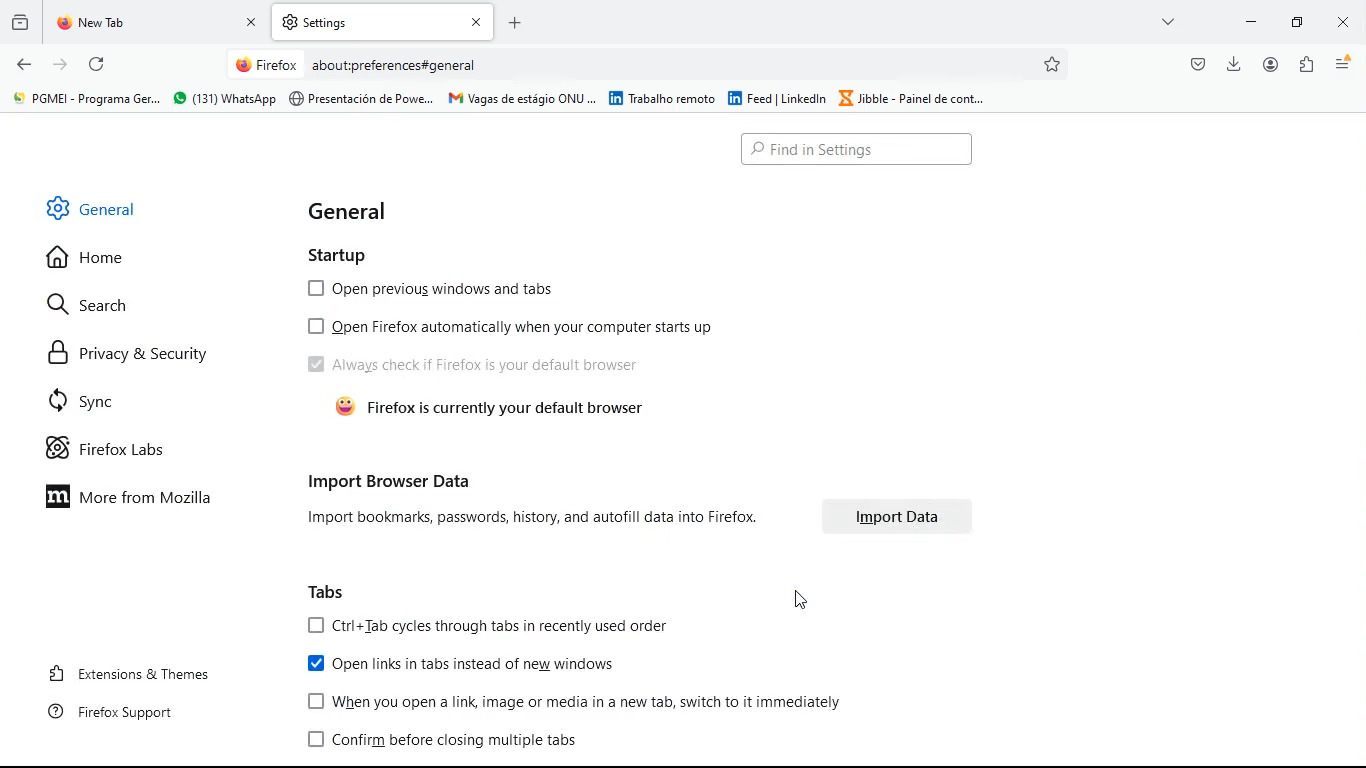  What do you see at coordinates (266, 64) in the screenshot?
I see `Firefox` at bounding box center [266, 64].